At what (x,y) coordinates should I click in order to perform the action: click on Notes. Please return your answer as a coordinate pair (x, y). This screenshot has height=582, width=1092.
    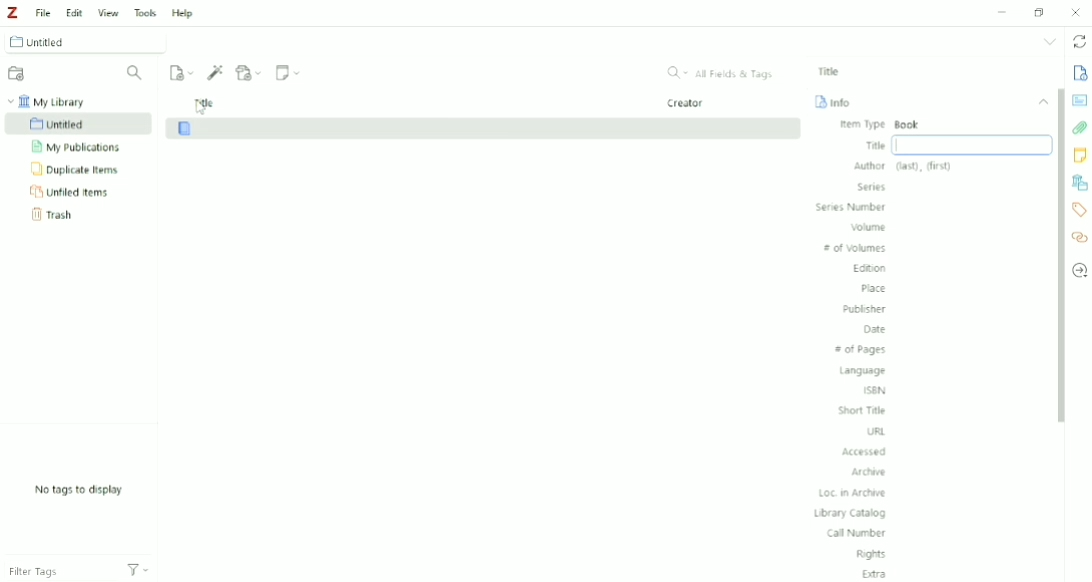
    Looking at the image, I should click on (1079, 155).